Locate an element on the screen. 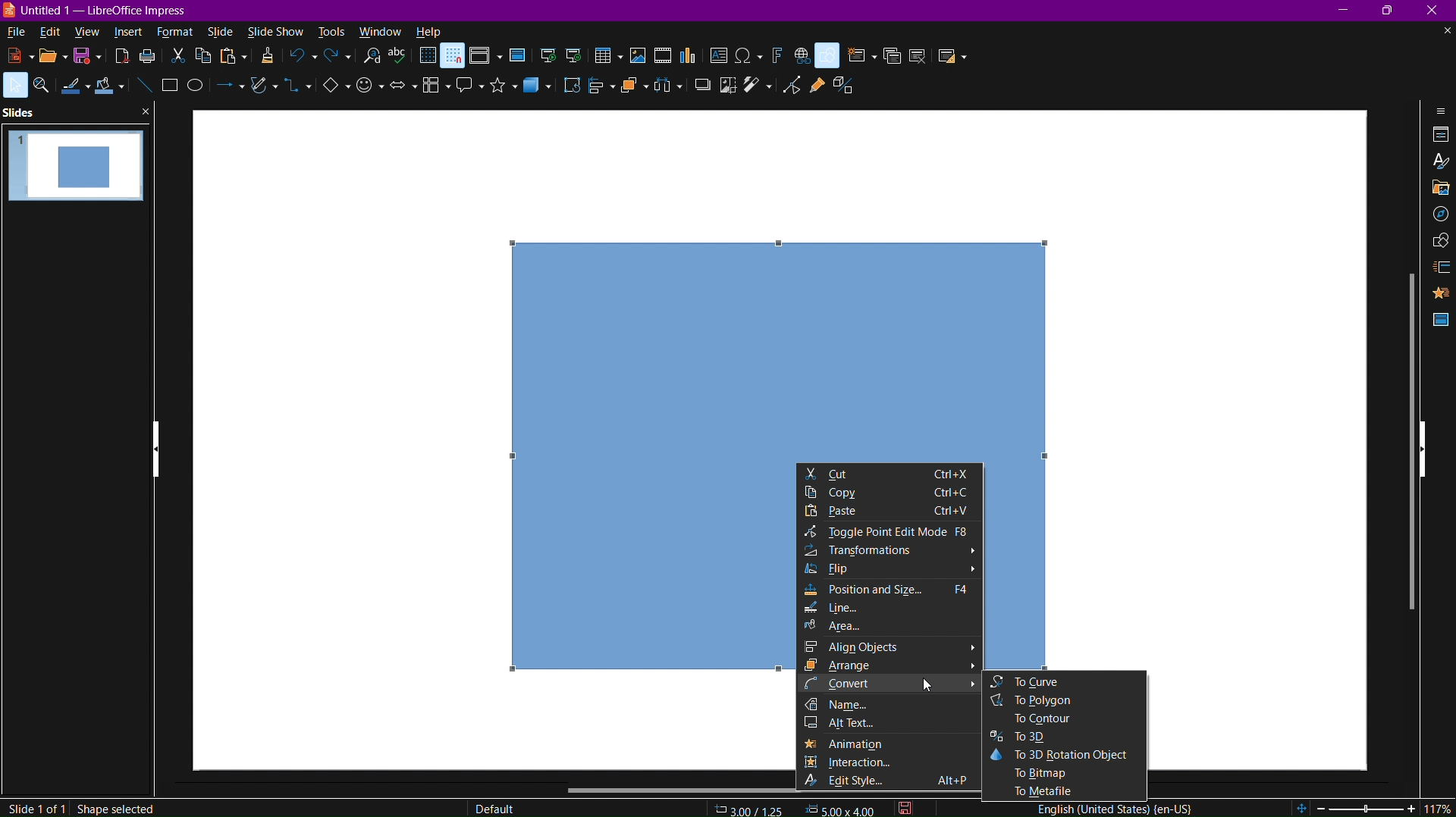 The height and width of the screenshot is (817, 1456). Flowchart is located at coordinates (431, 89).